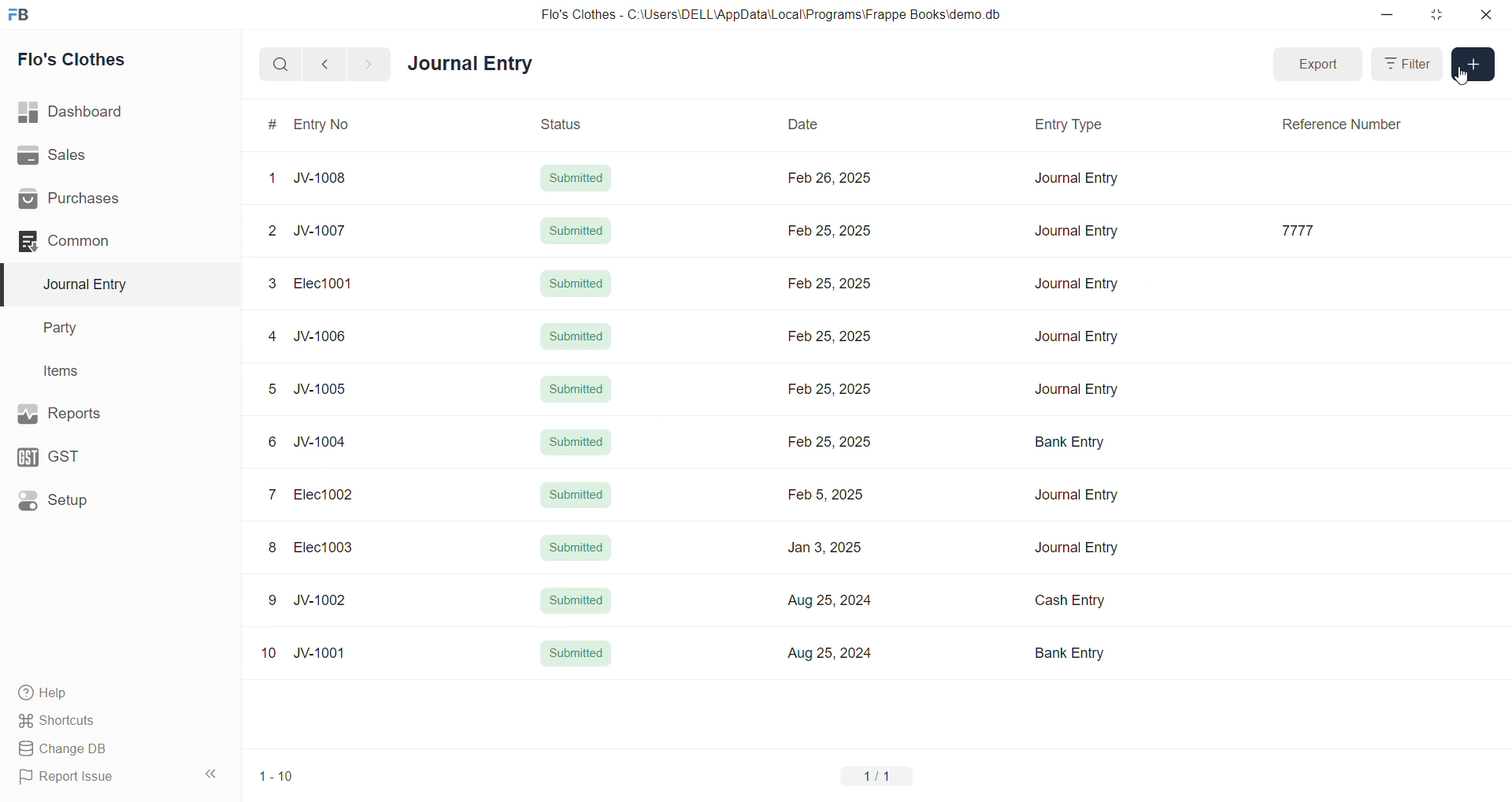 Image resolution: width=1512 pixels, height=802 pixels. Describe the element at coordinates (1473, 65) in the screenshot. I see `add` at that location.